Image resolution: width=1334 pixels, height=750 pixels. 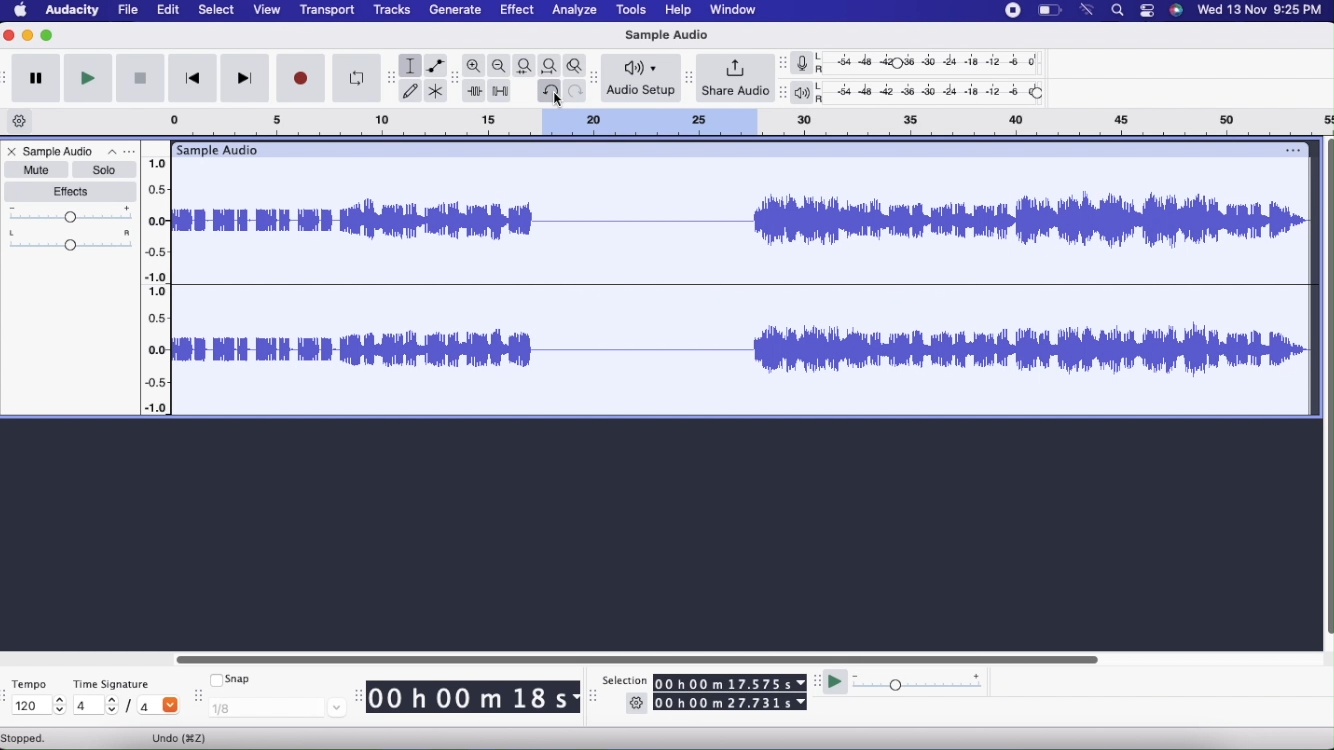 What do you see at coordinates (69, 241) in the screenshot?
I see `Pan: Center` at bounding box center [69, 241].